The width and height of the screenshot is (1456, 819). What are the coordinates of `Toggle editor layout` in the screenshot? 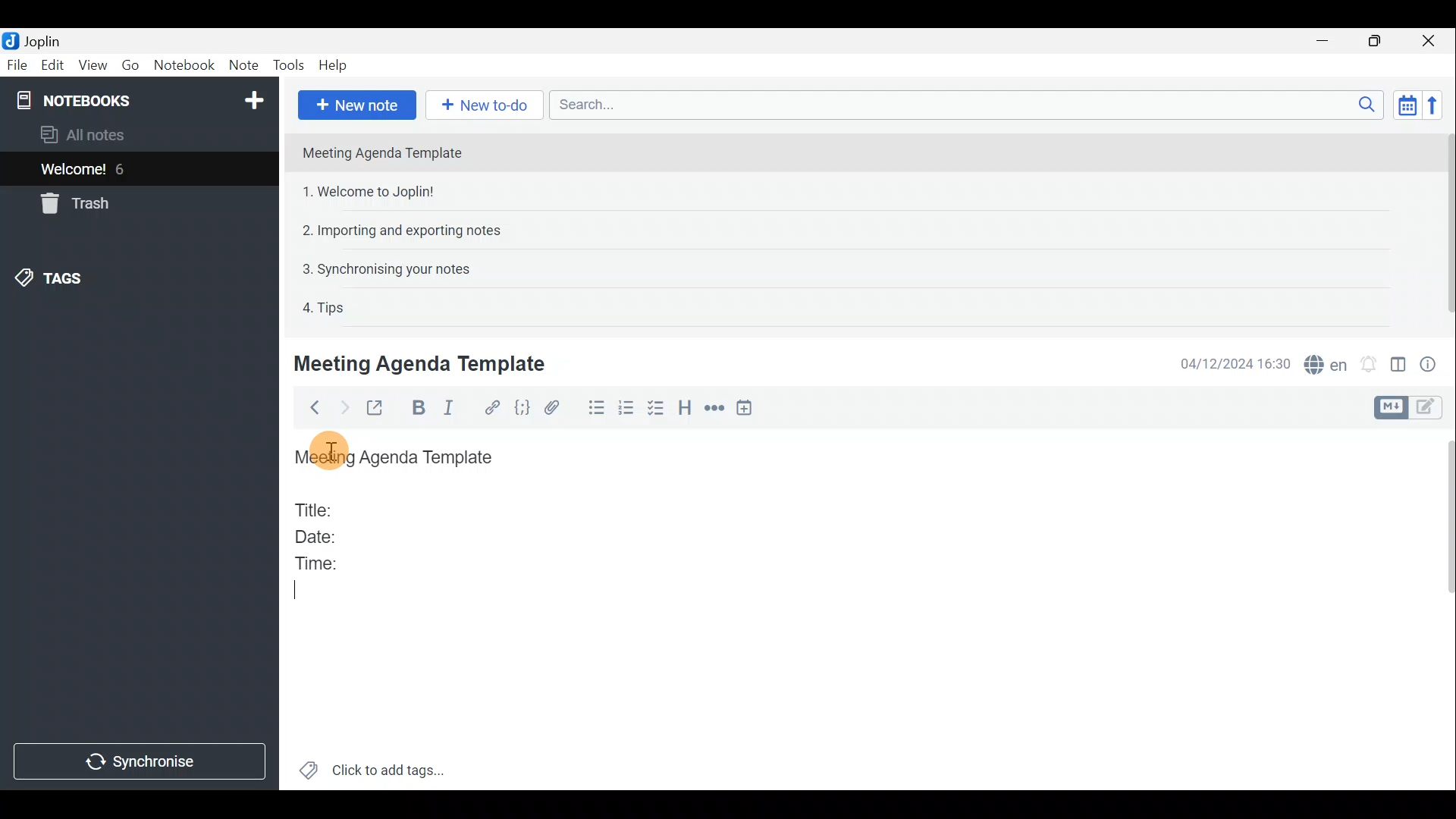 It's located at (1399, 367).